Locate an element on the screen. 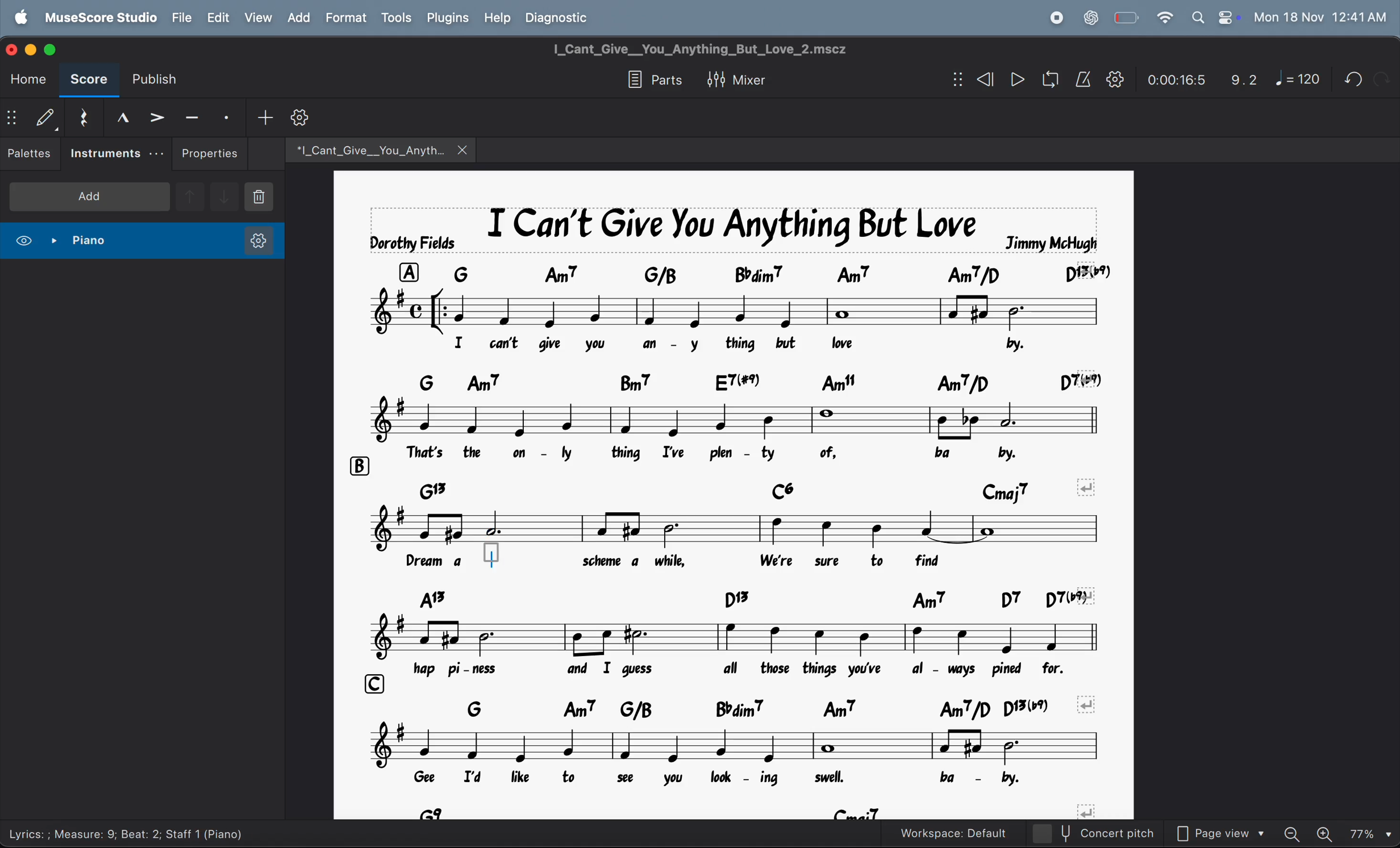  stacatto is located at coordinates (226, 115).